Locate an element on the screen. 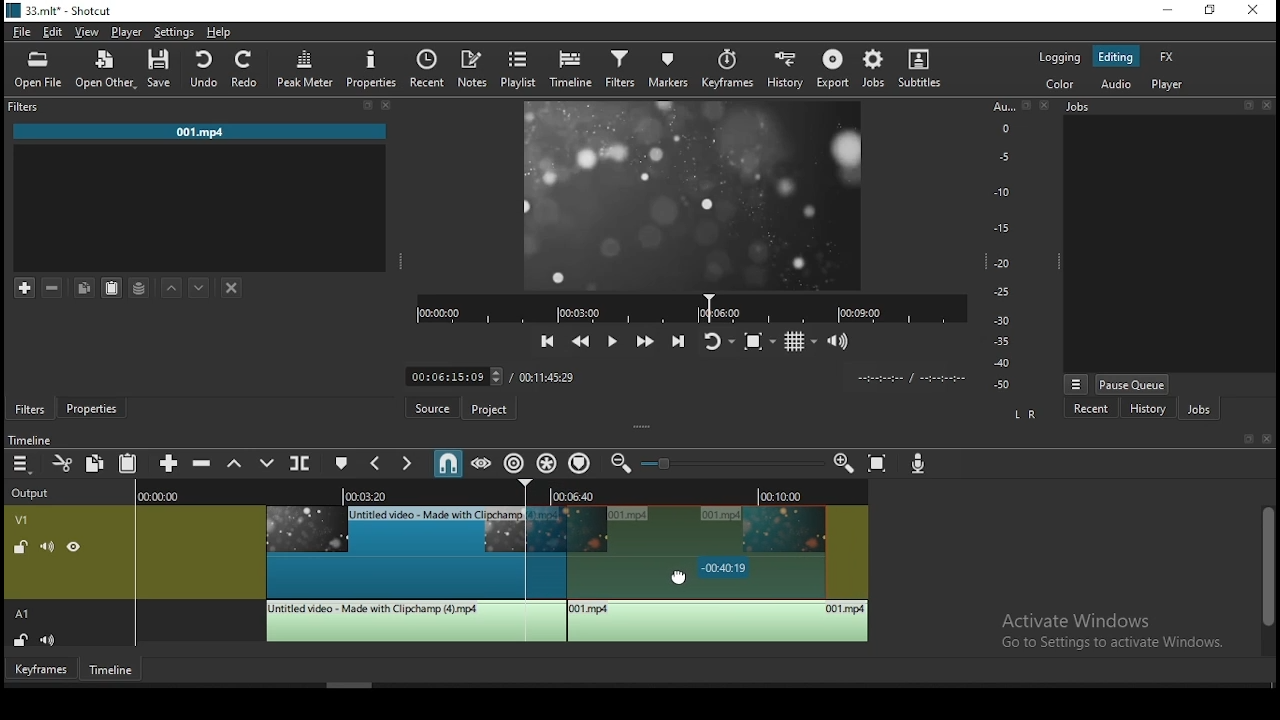  timeline is located at coordinates (111, 671).